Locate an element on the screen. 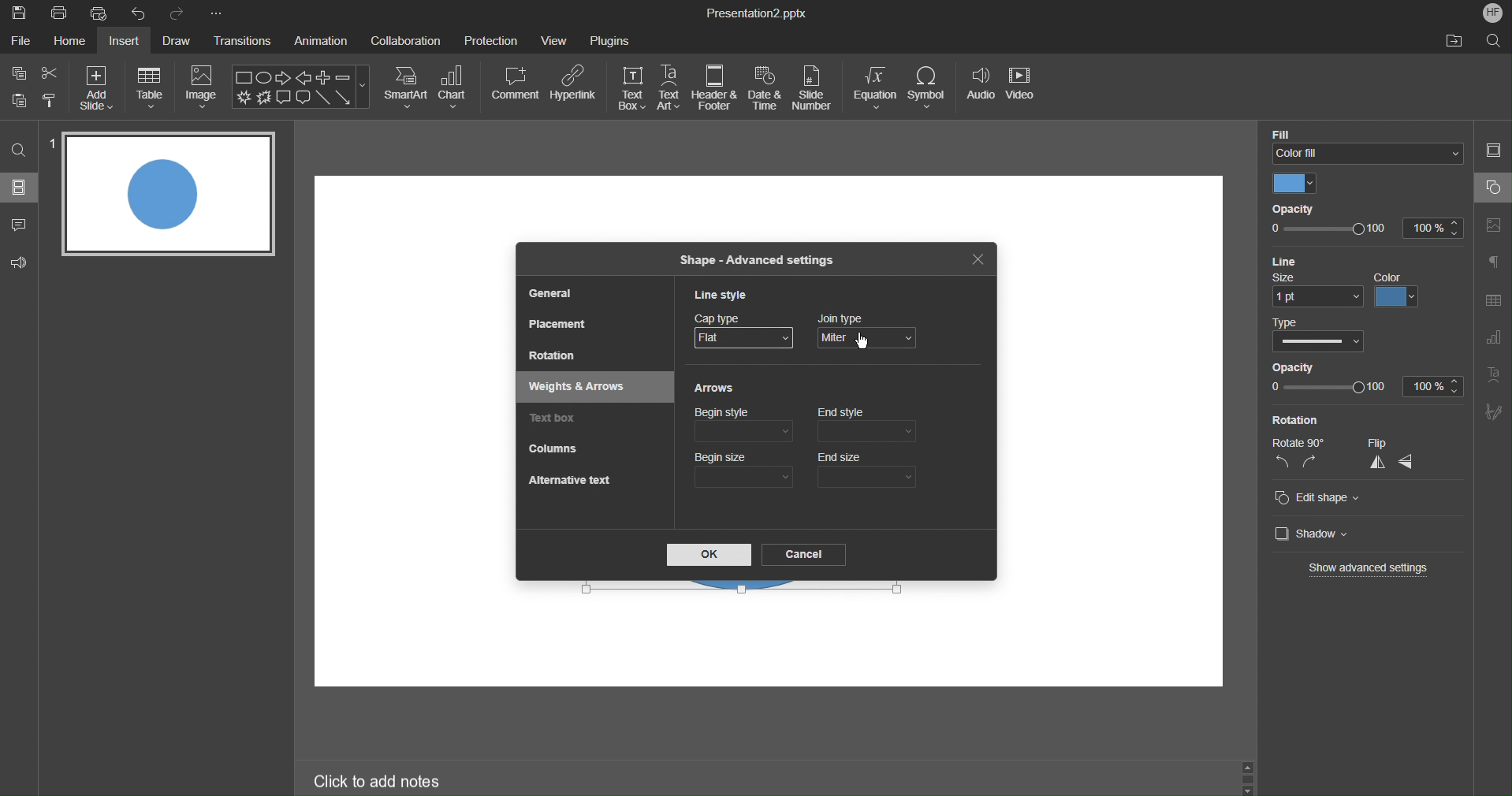 This screenshot has height=796, width=1512. Rotate 90 is located at coordinates (1295, 440).